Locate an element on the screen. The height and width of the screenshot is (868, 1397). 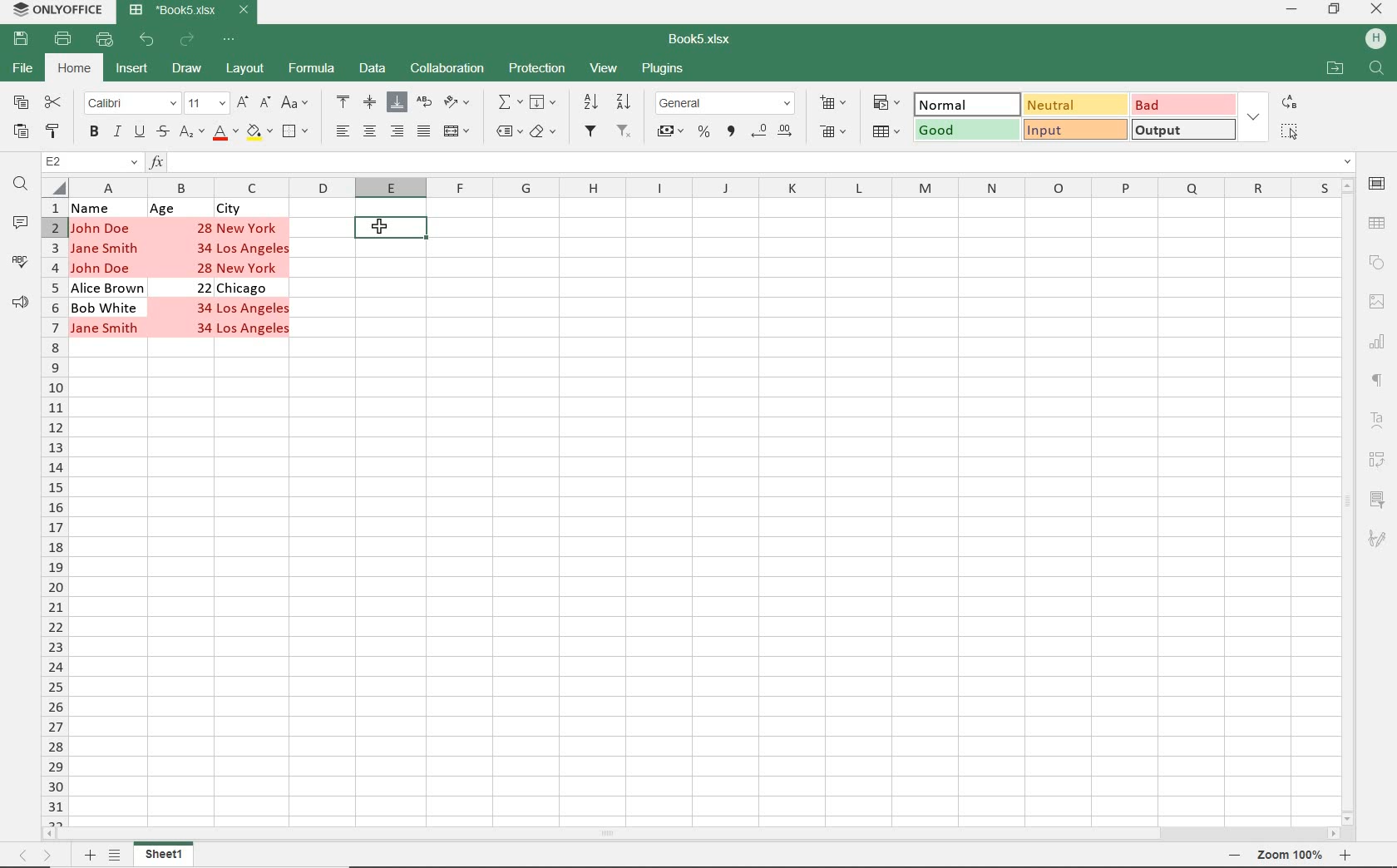
John Doe is located at coordinates (101, 226).